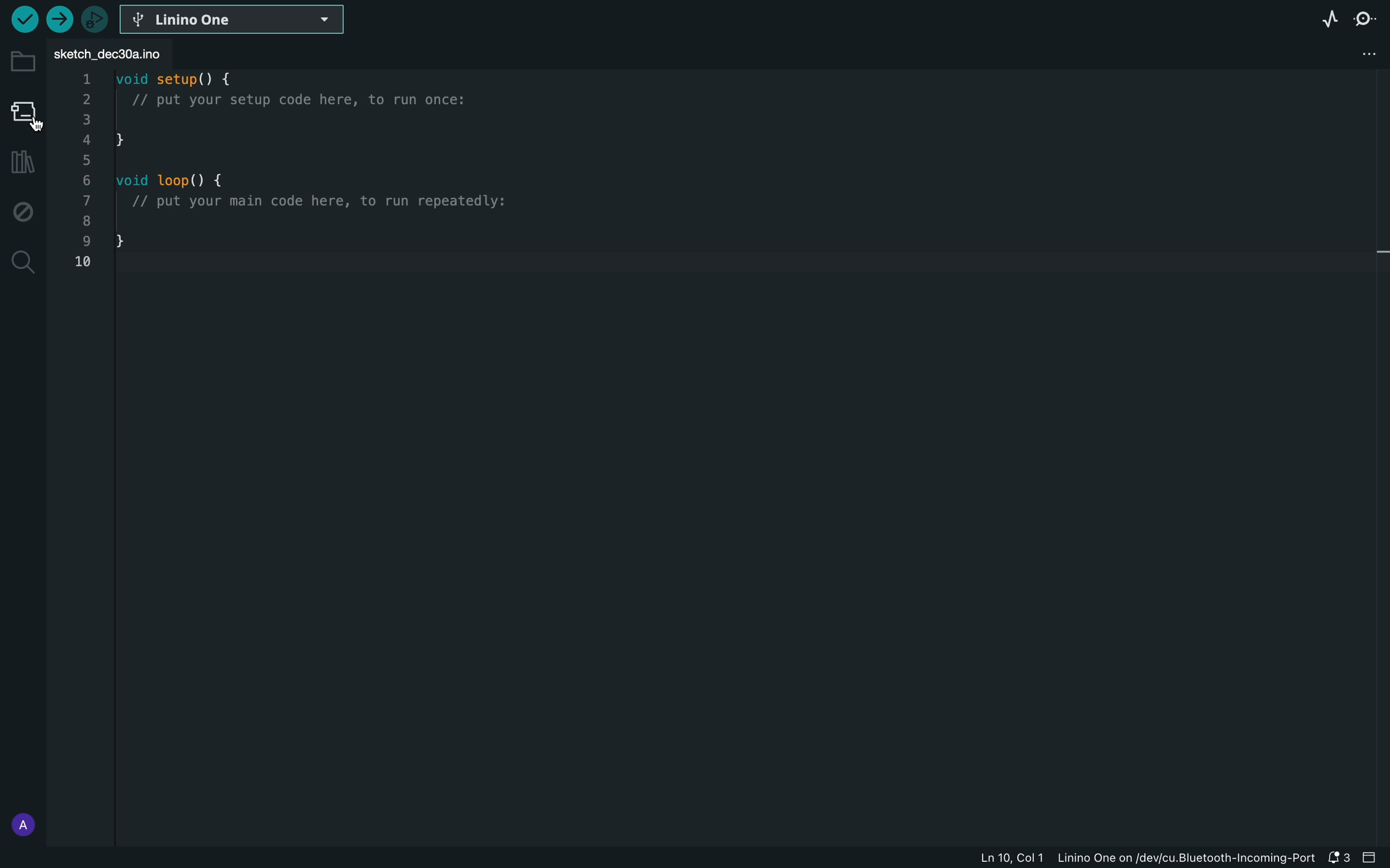  Describe the element at coordinates (20, 164) in the screenshot. I see `library manager` at that location.